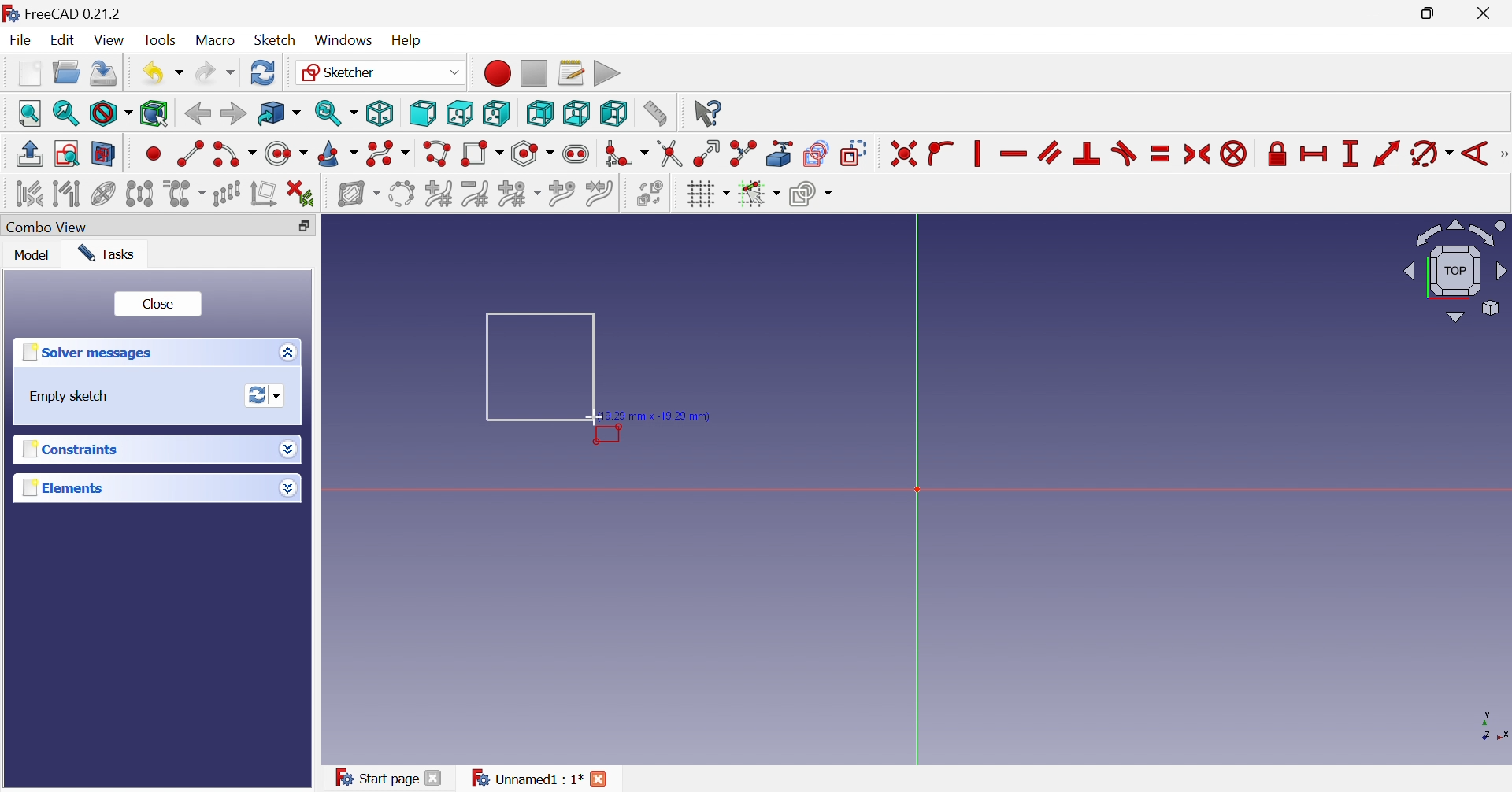 The width and height of the screenshot is (1512, 792). I want to click on Sync view, so click(336, 113).